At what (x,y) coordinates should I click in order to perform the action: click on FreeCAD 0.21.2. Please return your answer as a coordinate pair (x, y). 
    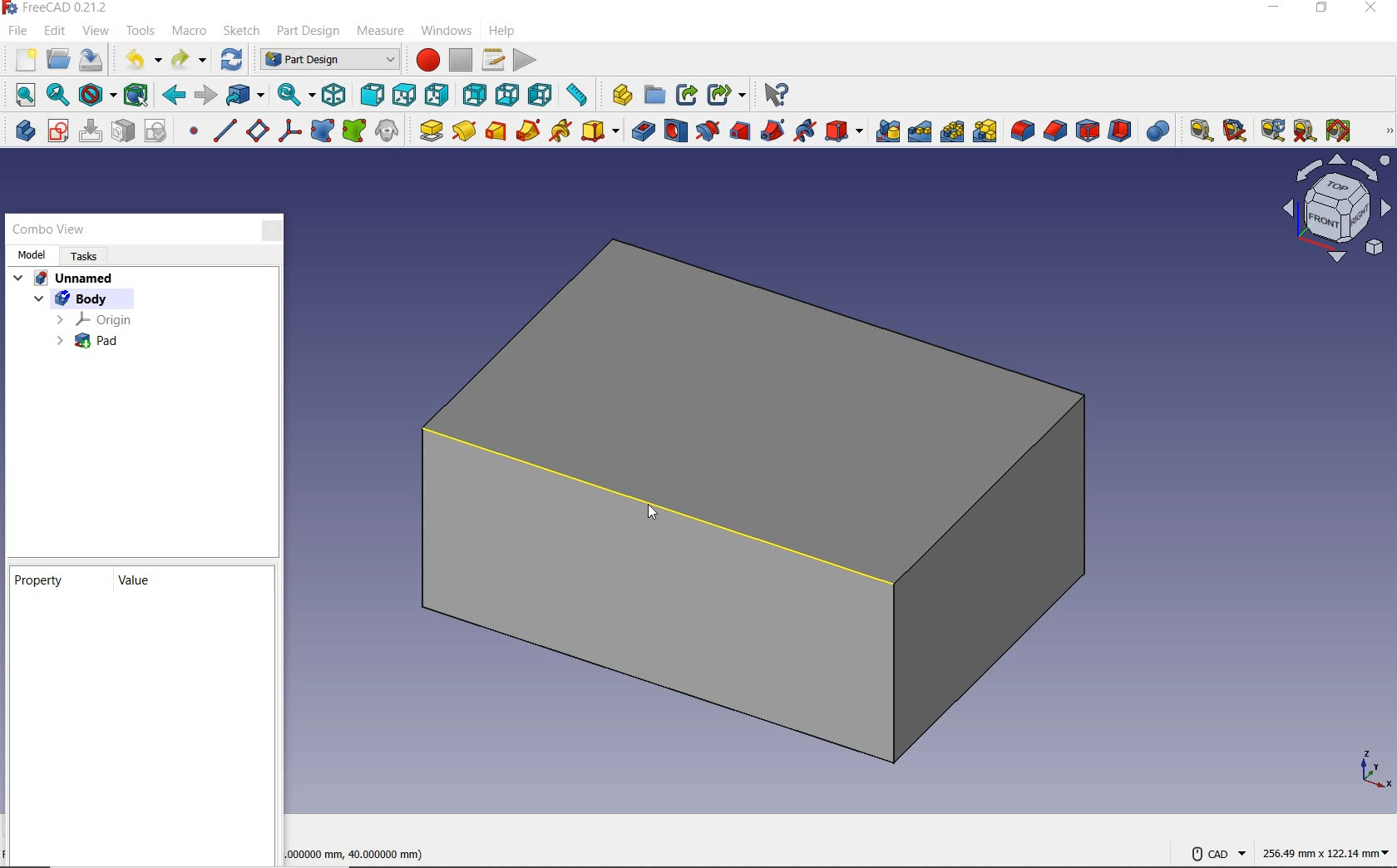
    Looking at the image, I should click on (58, 9).